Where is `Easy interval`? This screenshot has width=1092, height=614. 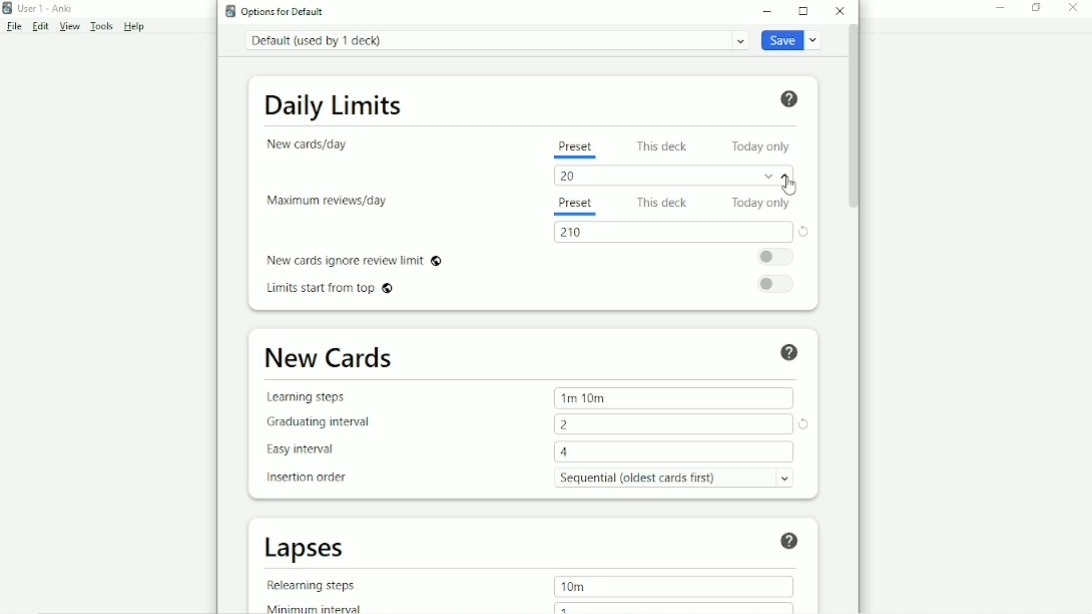
Easy interval is located at coordinates (304, 450).